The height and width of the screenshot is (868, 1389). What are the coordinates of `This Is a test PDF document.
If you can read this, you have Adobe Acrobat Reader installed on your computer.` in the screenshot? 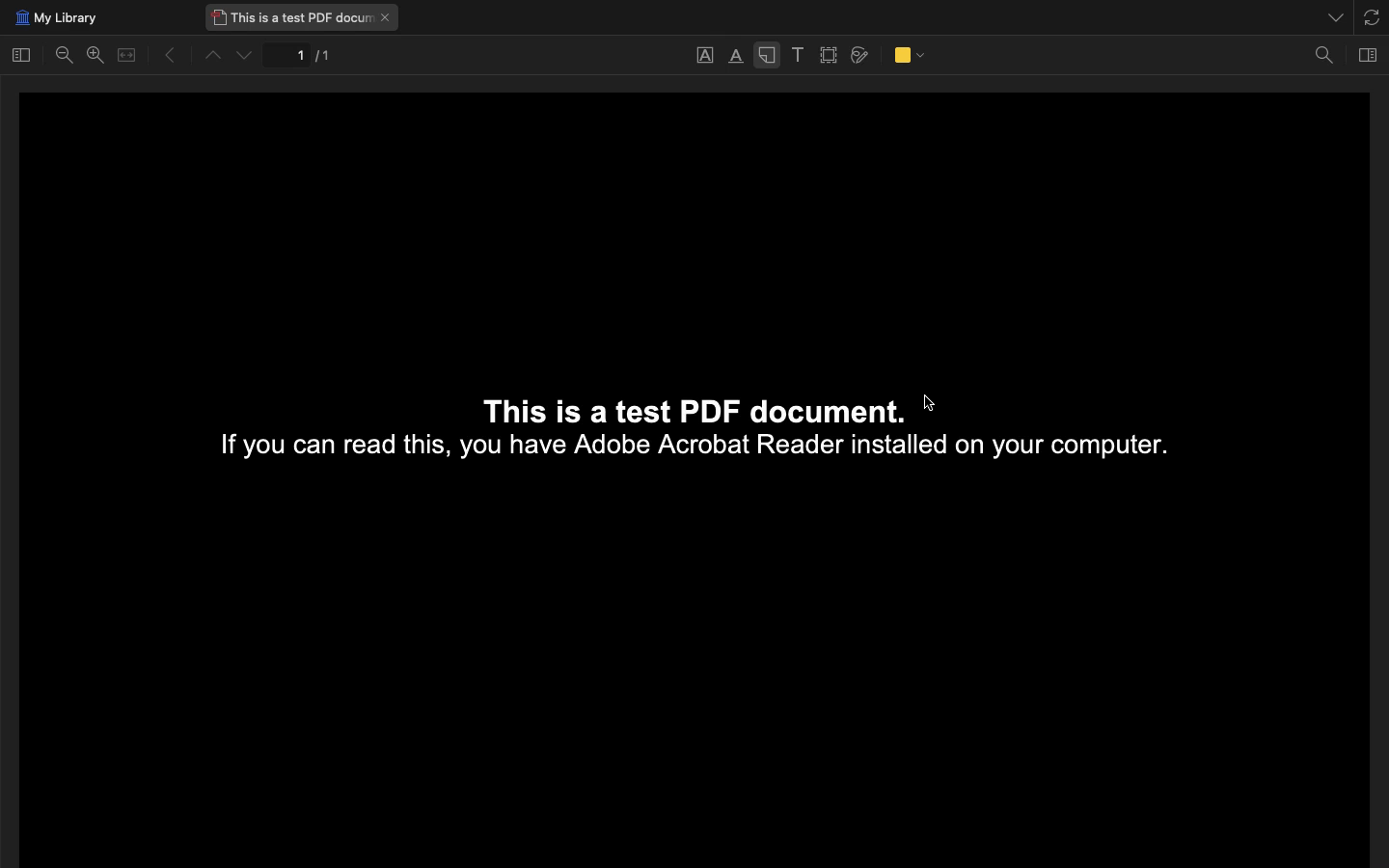 It's located at (726, 435).